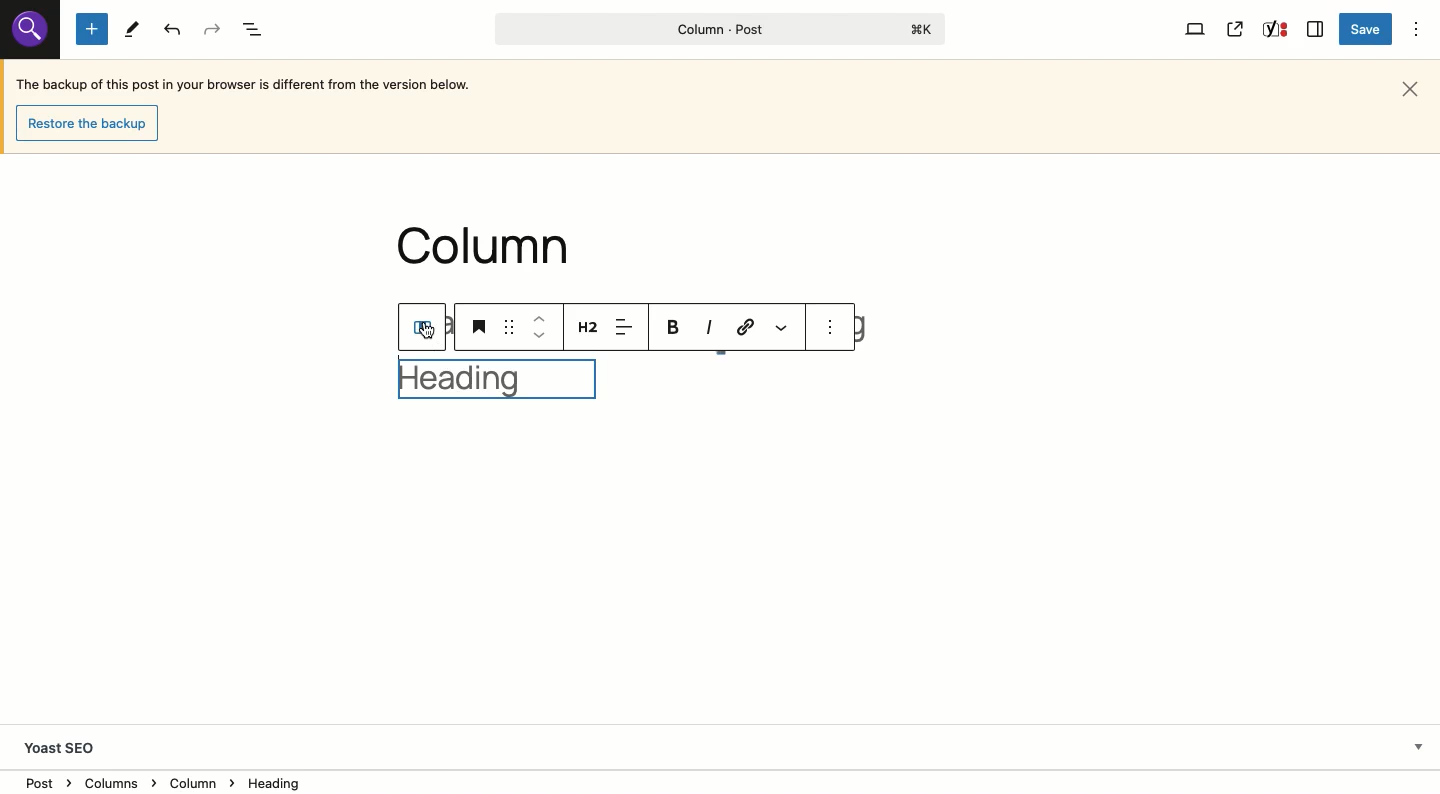 The width and height of the screenshot is (1440, 794). Describe the element at coordinates (92, 30) in the screenshot. I see `Add new block` at that location.